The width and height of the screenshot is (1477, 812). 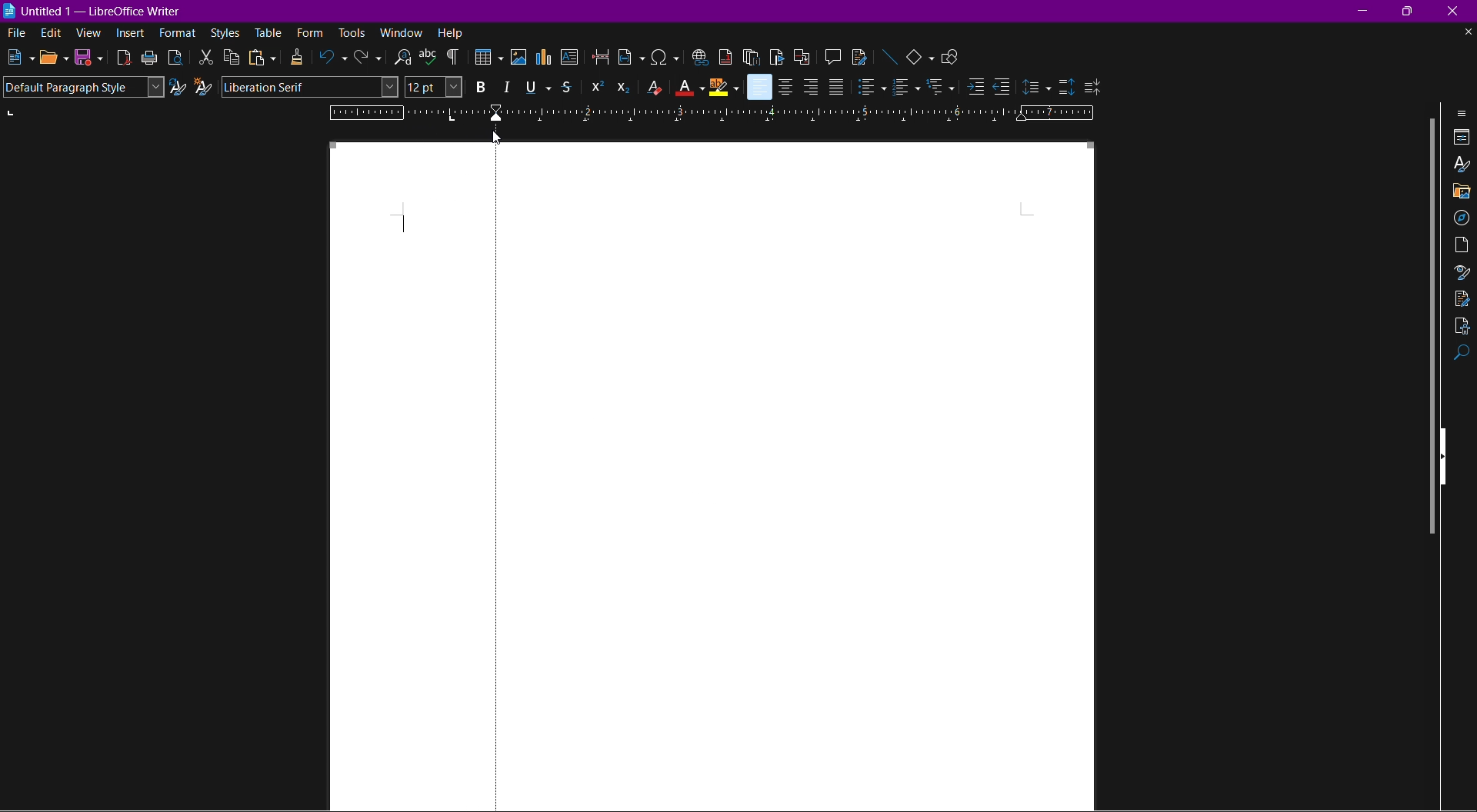 I want to click on form, so click(x=311, y=32).